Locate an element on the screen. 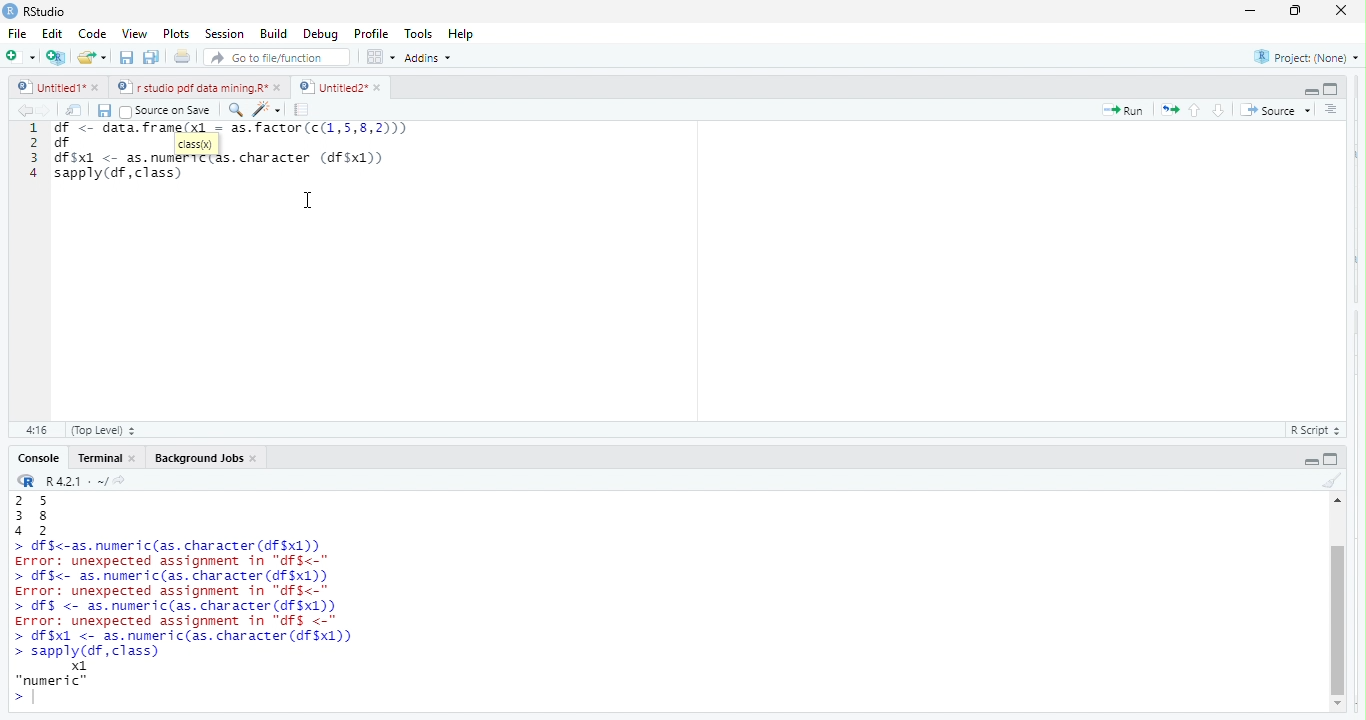 This screenshot has height=720, width=1366. scroll up is located at coordinates (1339, 500).